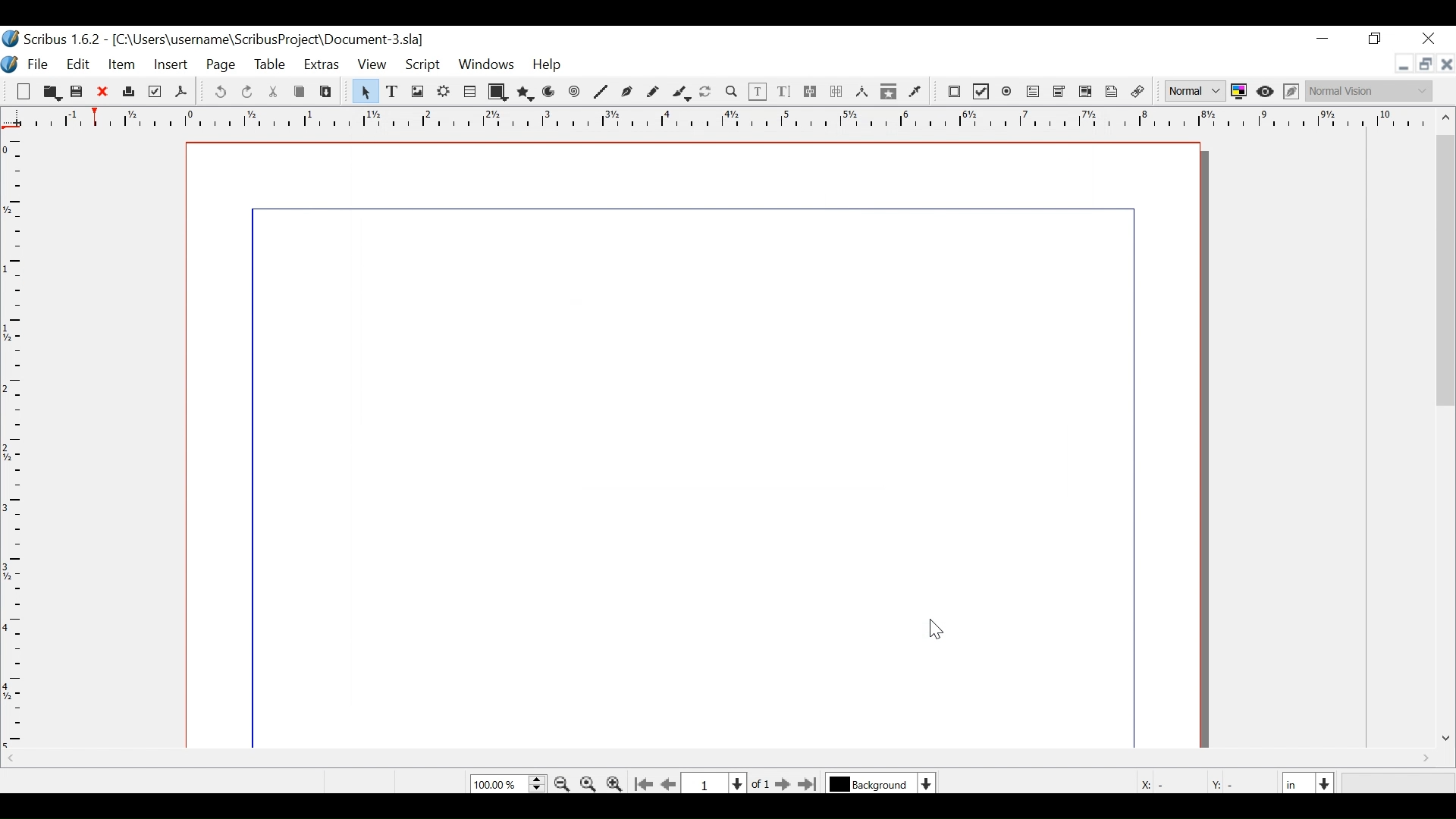 This screenshot has height=819, width=1456. Describe the element at coordinates (524, 93) in the screenshot. I see `Polygon` at that location.